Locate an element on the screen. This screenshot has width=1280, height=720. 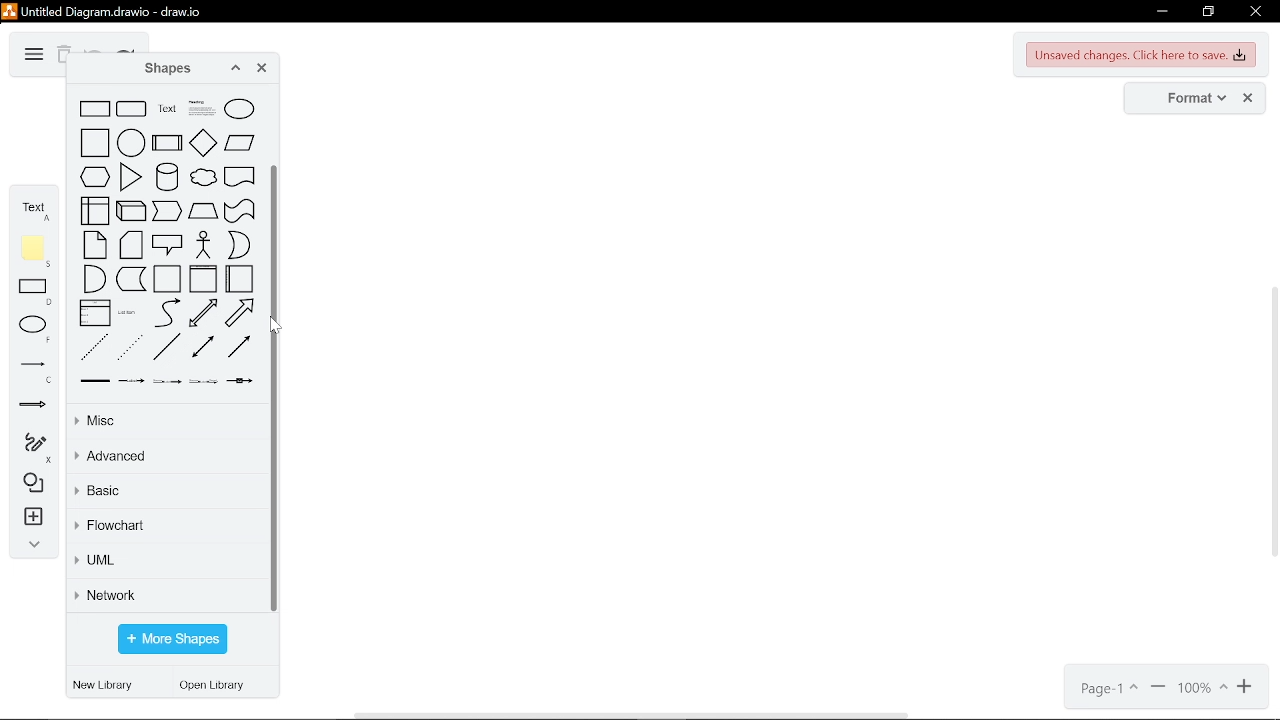
new library is located at coordinates (106, 686).